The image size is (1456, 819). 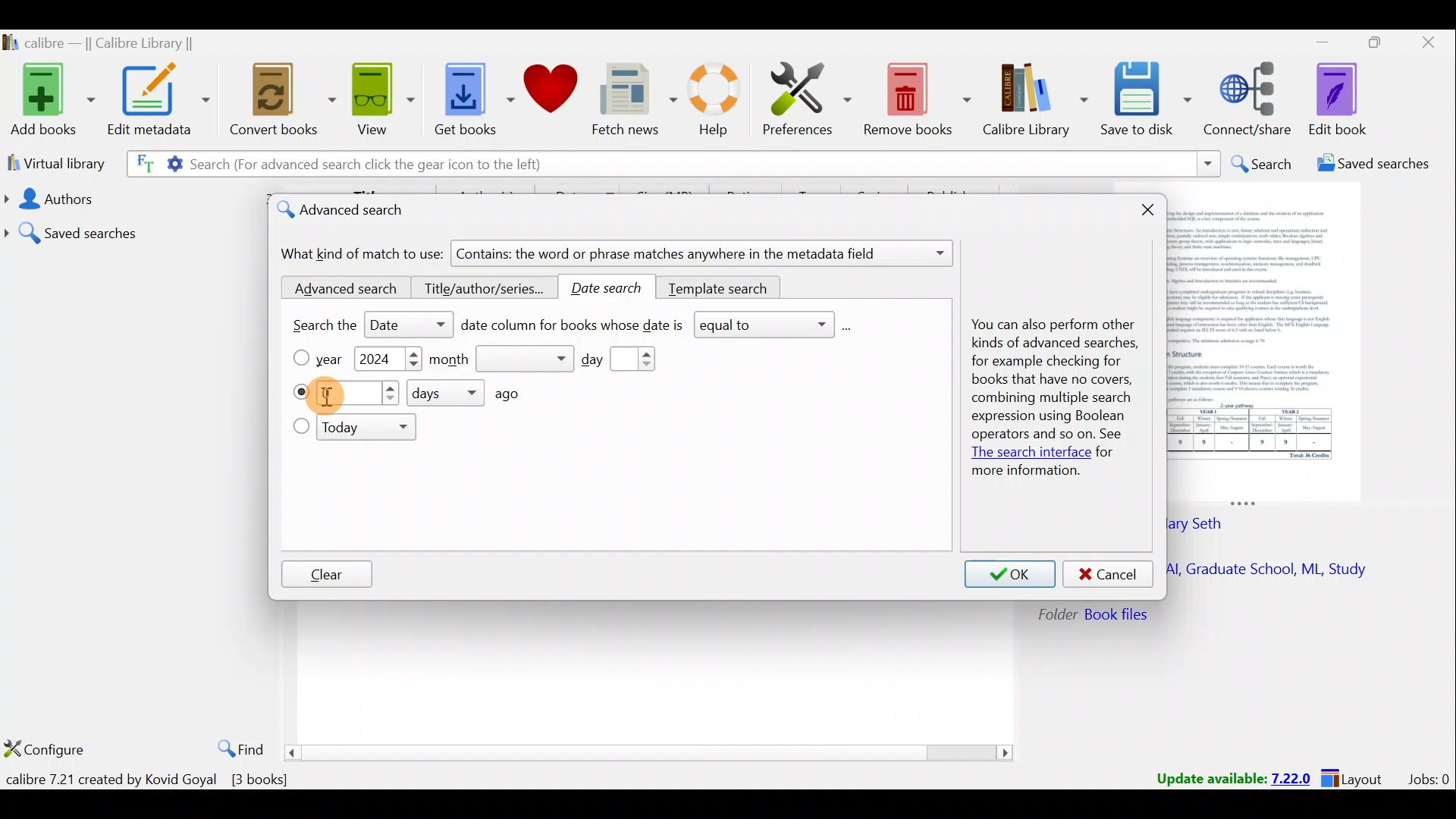 What do you see at coordinates (1148, 101) in the screenshot?
I see `Save to disk` at bounding box center [1148, 101].